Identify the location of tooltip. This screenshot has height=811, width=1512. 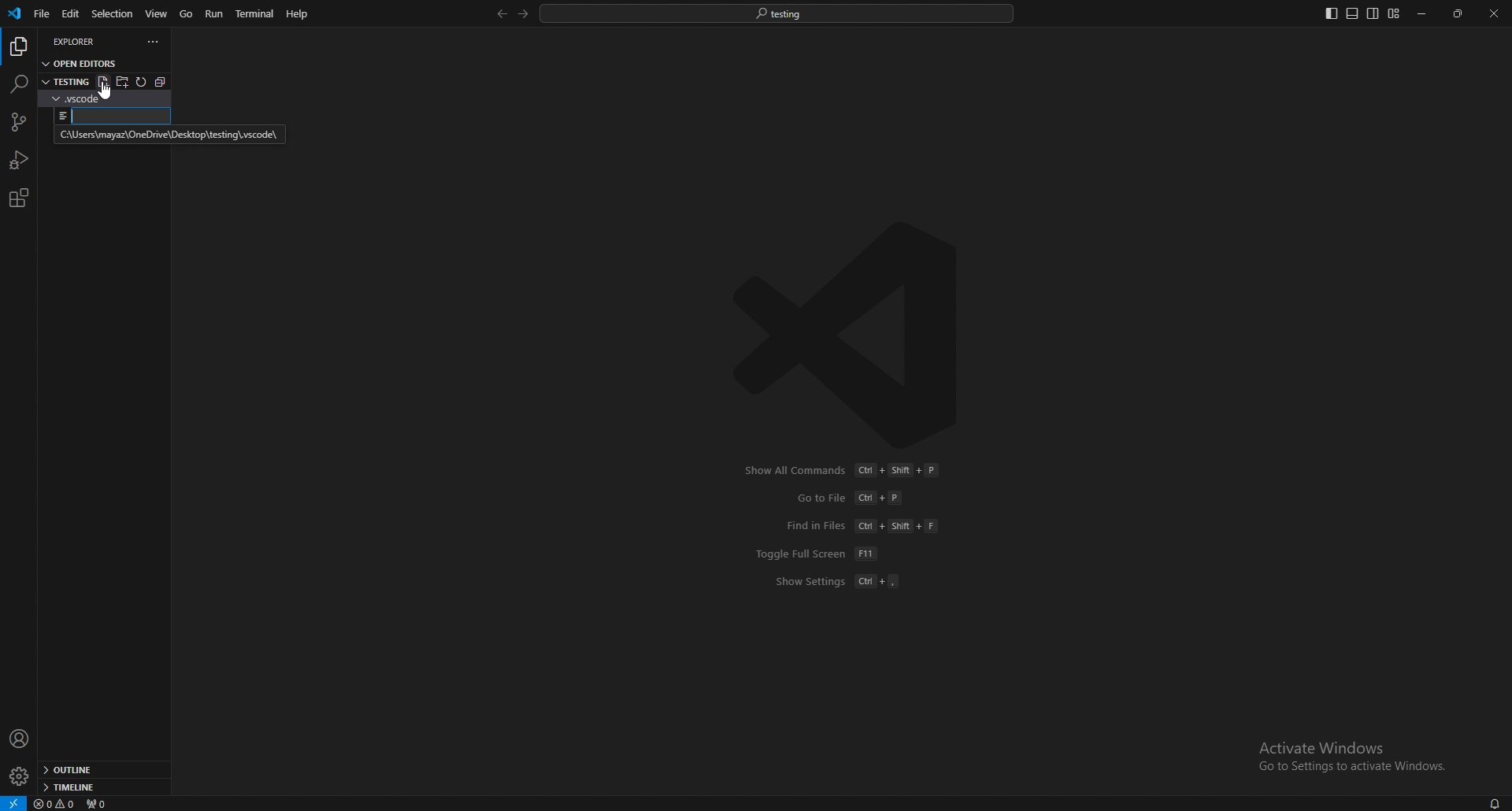
(168, 135).